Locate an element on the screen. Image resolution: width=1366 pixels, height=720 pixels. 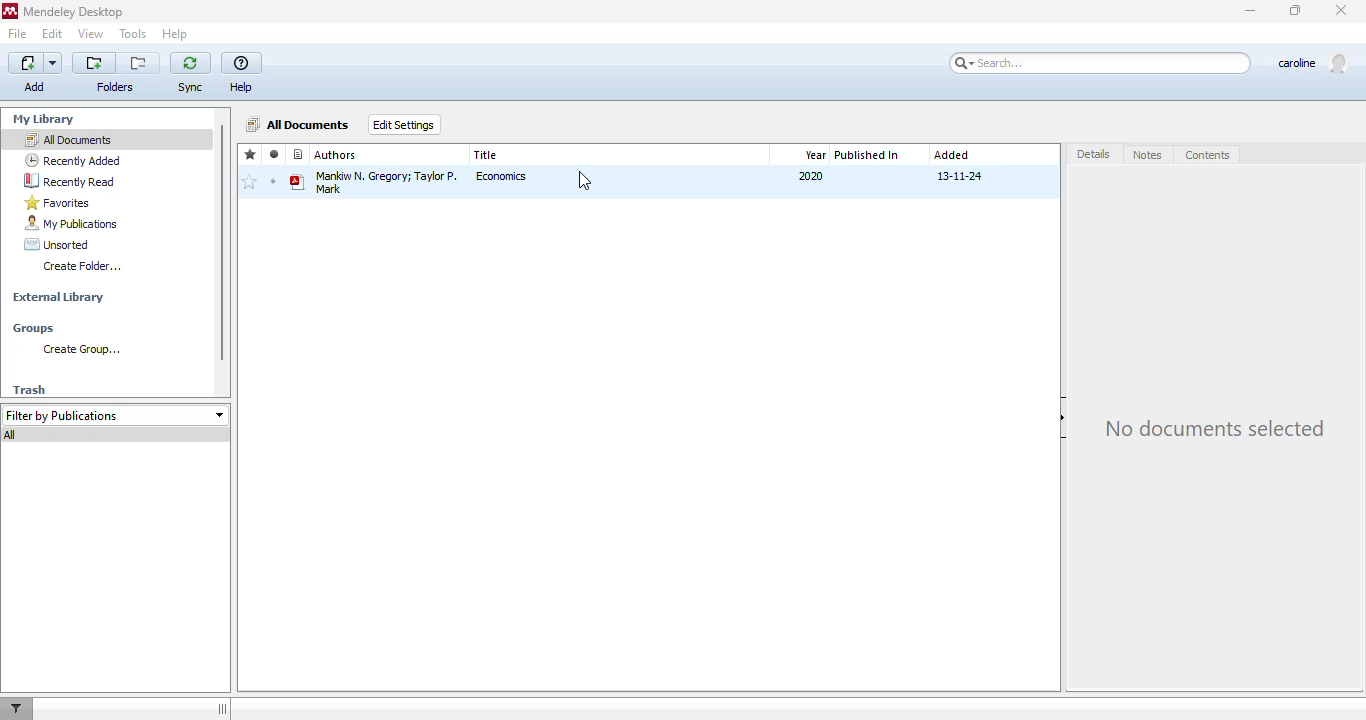
authors is located at coordinates (336, 155).